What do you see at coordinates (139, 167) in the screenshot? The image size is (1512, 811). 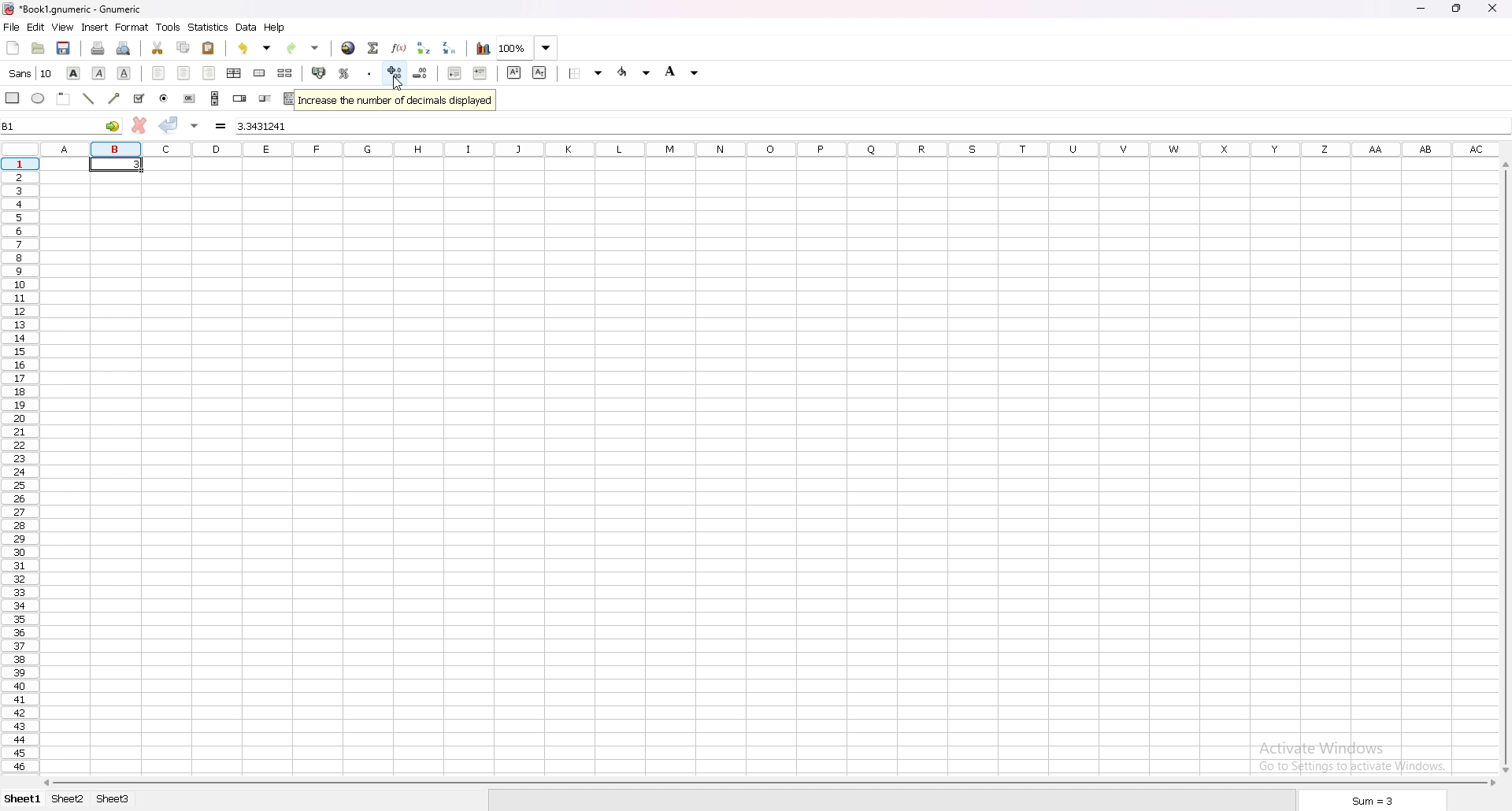 I see `3` at bounding box center [139, 167].